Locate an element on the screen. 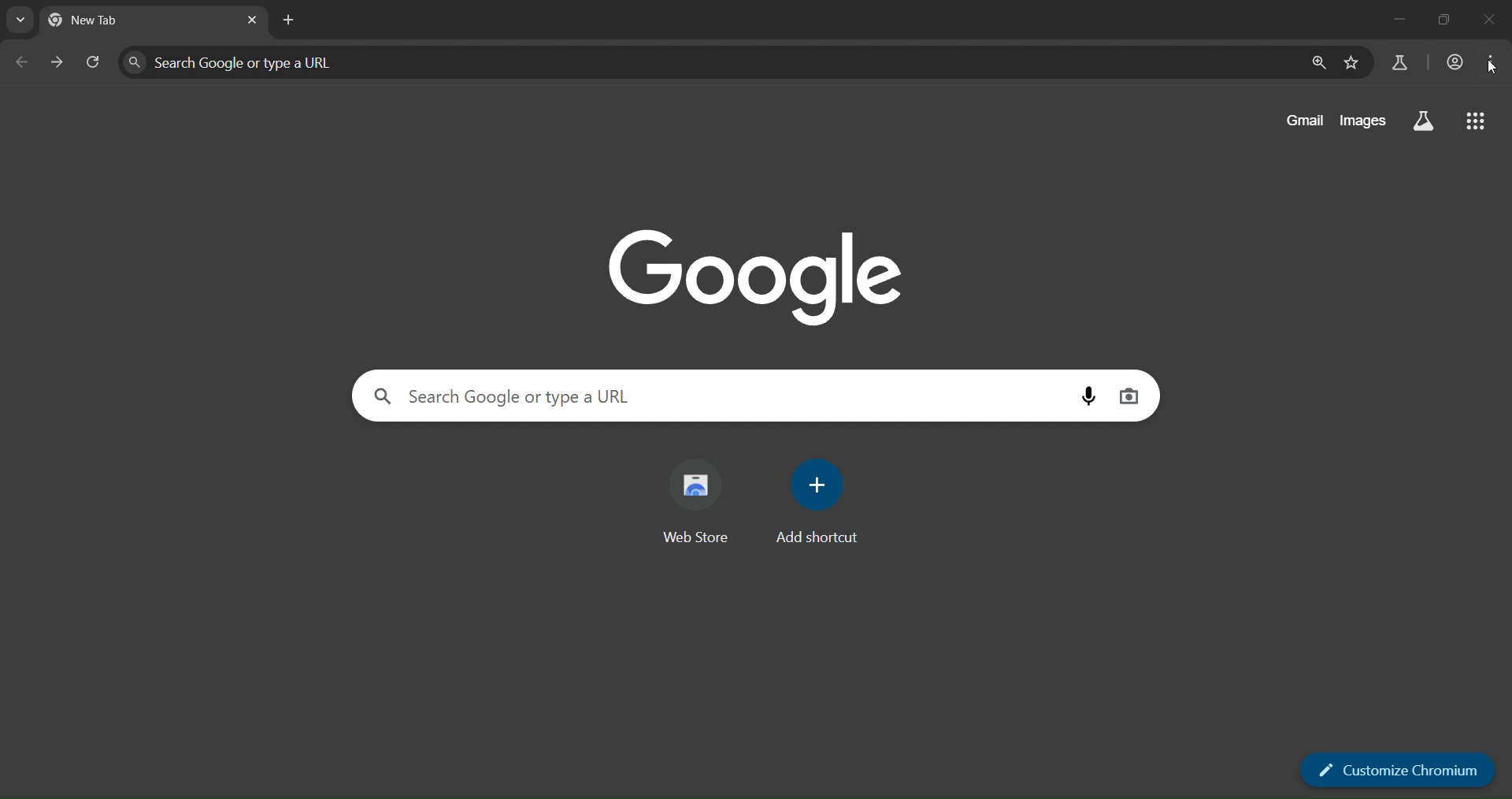  add shortcut is located at coordinates (821, 500).